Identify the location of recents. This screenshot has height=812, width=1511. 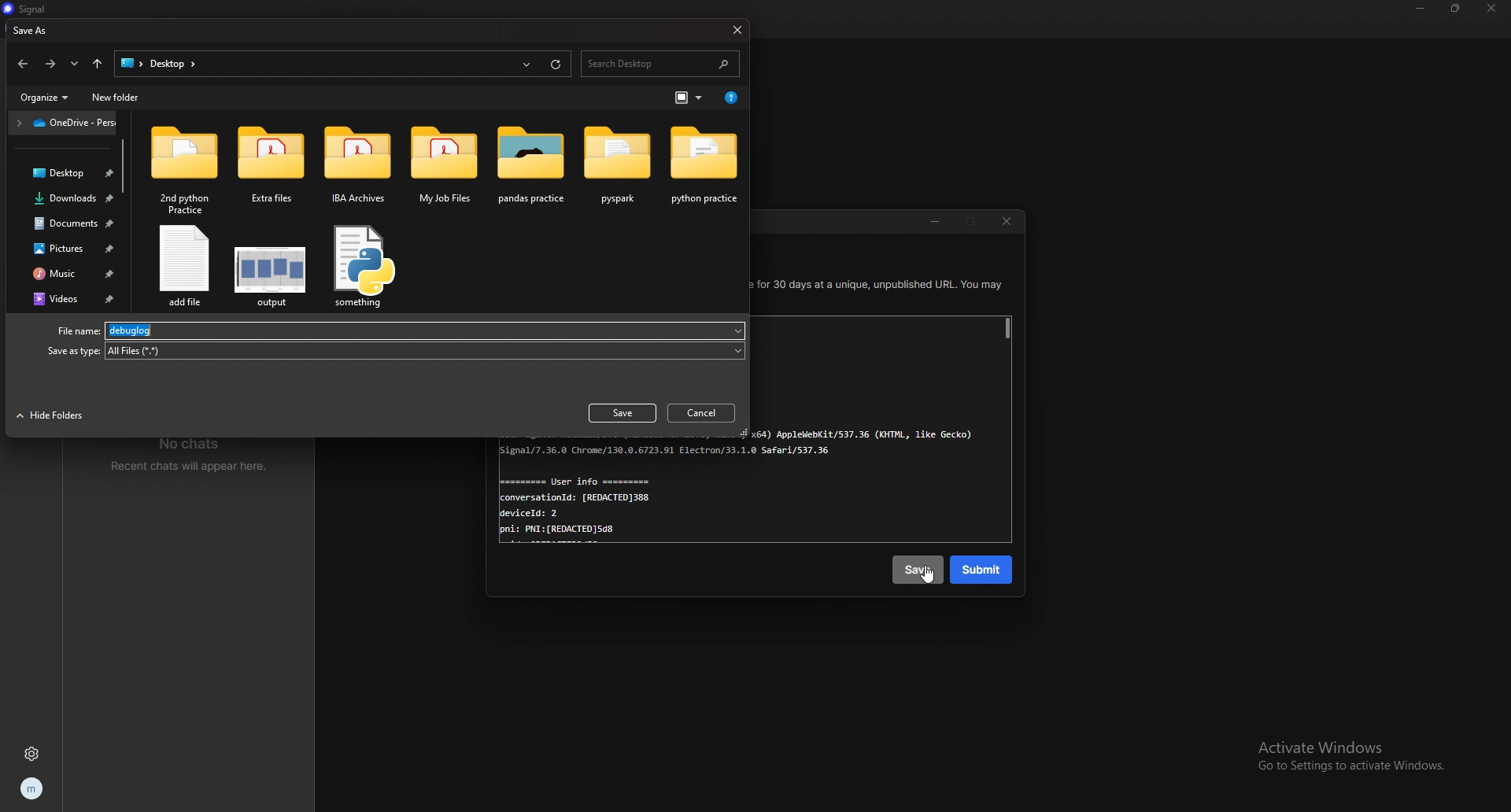
(528, 65).